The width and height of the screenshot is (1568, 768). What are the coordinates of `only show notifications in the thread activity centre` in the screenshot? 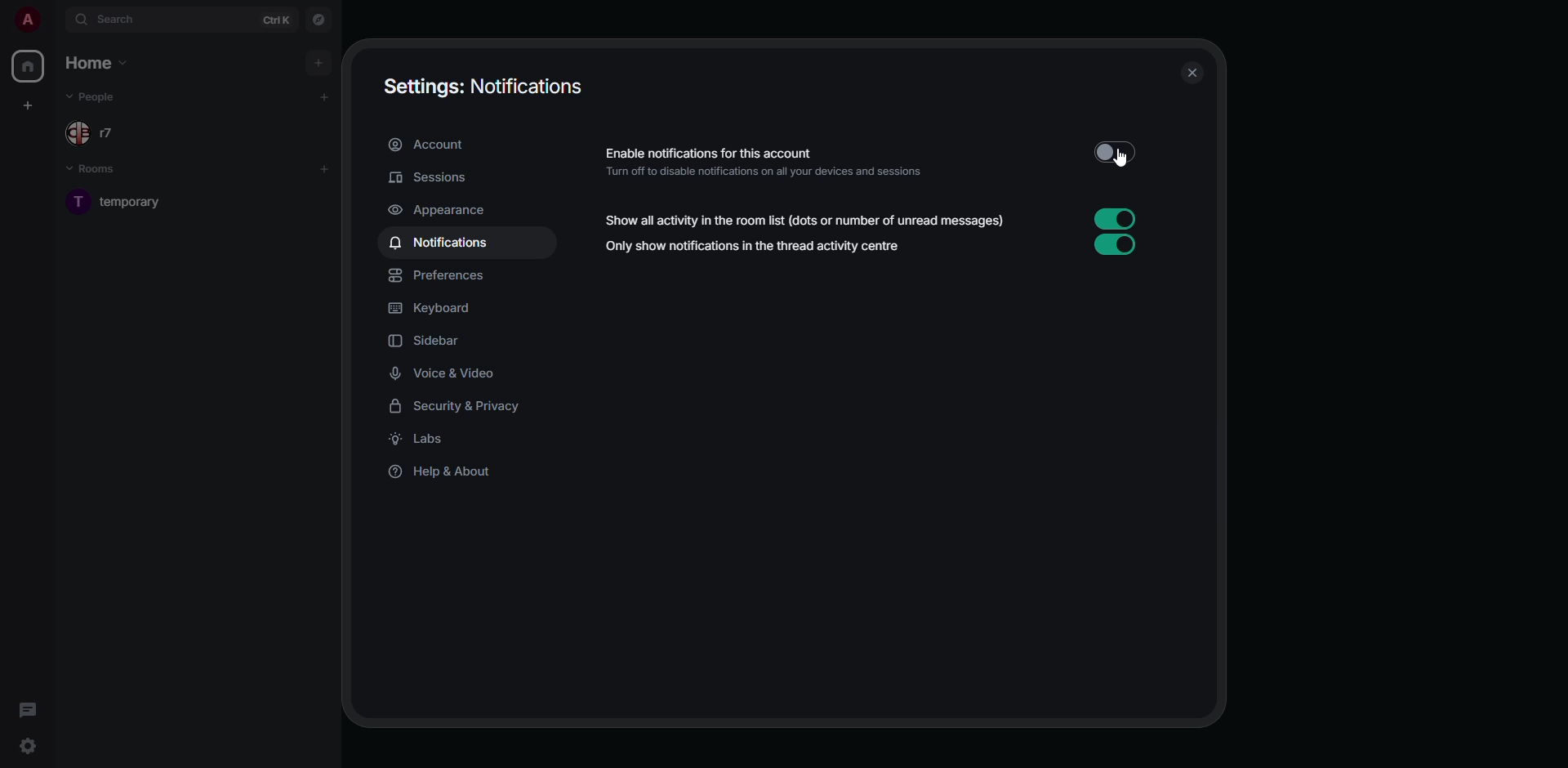 It's located at (755, 247).